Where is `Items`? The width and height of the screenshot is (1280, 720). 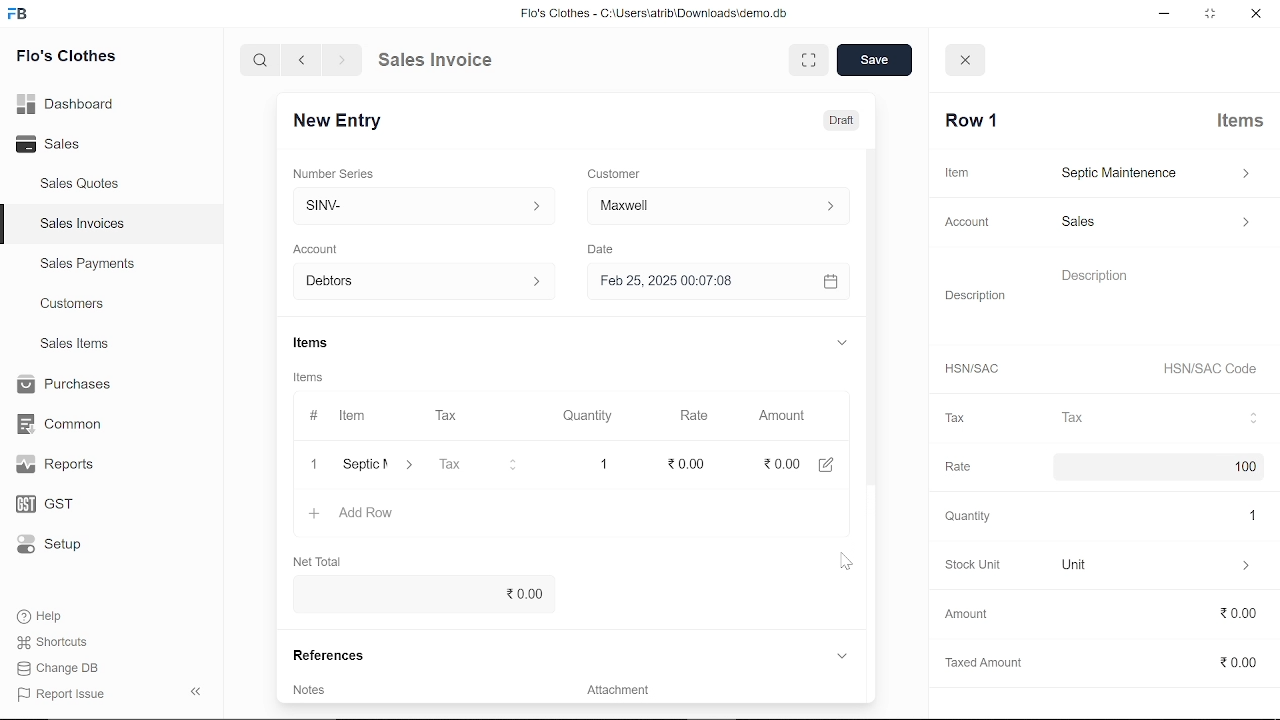 Items is located at coordinates (317, 377).